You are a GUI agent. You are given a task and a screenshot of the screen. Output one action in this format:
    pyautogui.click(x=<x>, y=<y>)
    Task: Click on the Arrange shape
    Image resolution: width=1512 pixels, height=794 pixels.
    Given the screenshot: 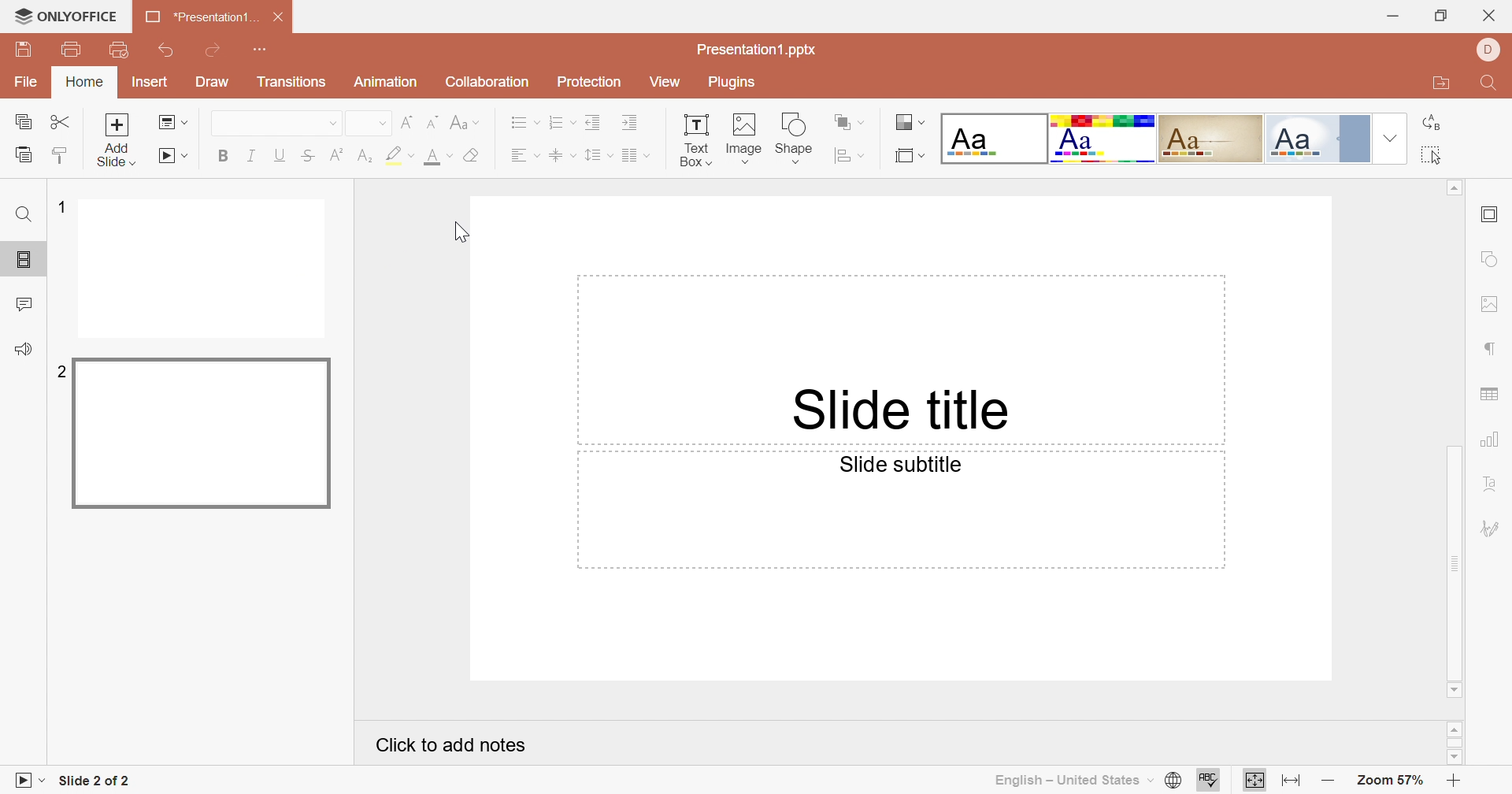 What is the action you would take?
    pyautogui.click(x=850, y=119)
    